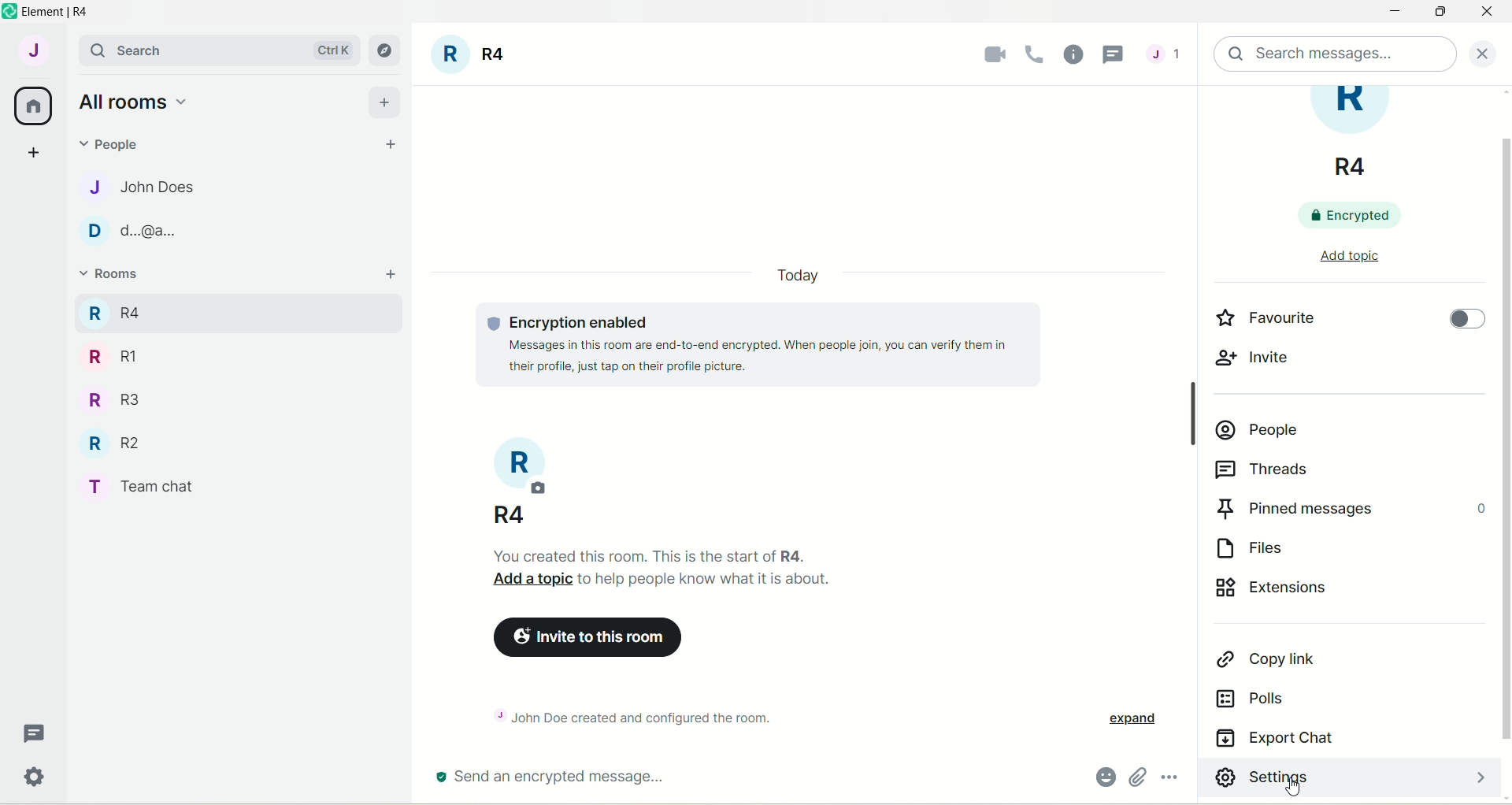 The width and height of the screenshot is (1512, 805). Describe the element at coordinates (1349, 254) in the screenshot. I see `add topic` at that location.